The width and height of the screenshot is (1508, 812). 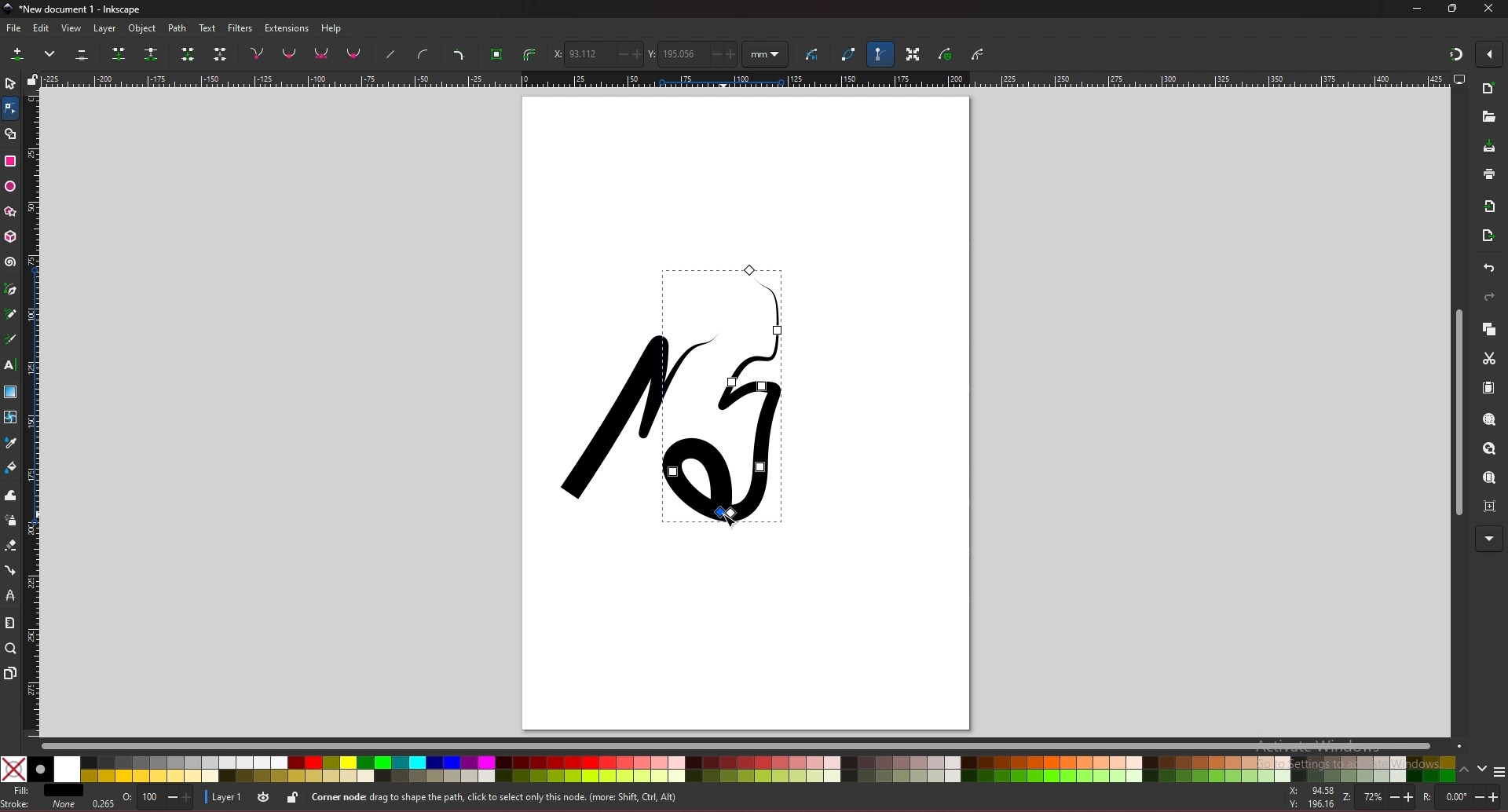 What do you see at coordinates (331, 29) in the screenshot?
I see `help` at bounding box center [331, 29].